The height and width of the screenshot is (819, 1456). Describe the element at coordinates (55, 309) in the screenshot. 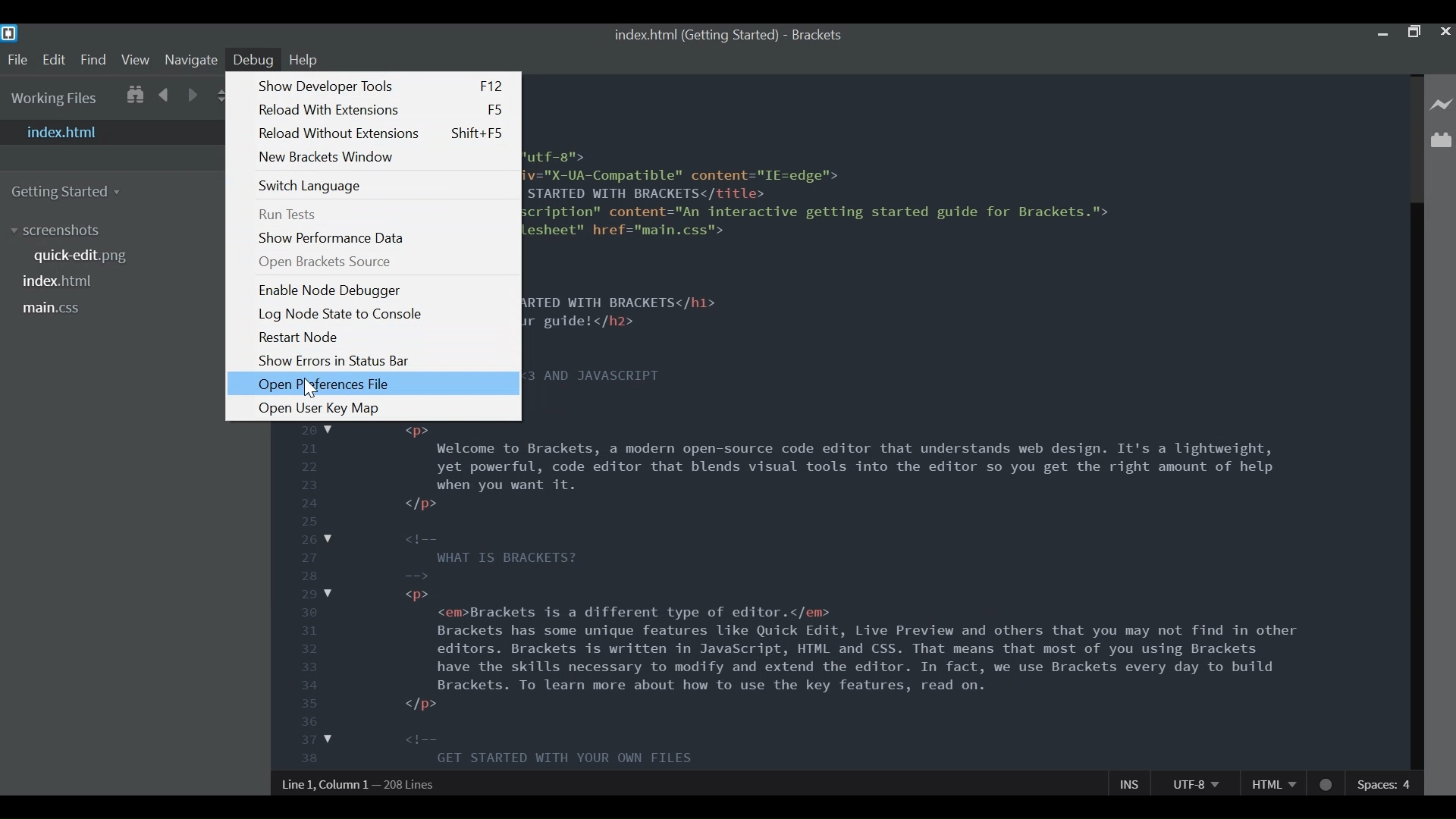

I see `main.css` at that location.